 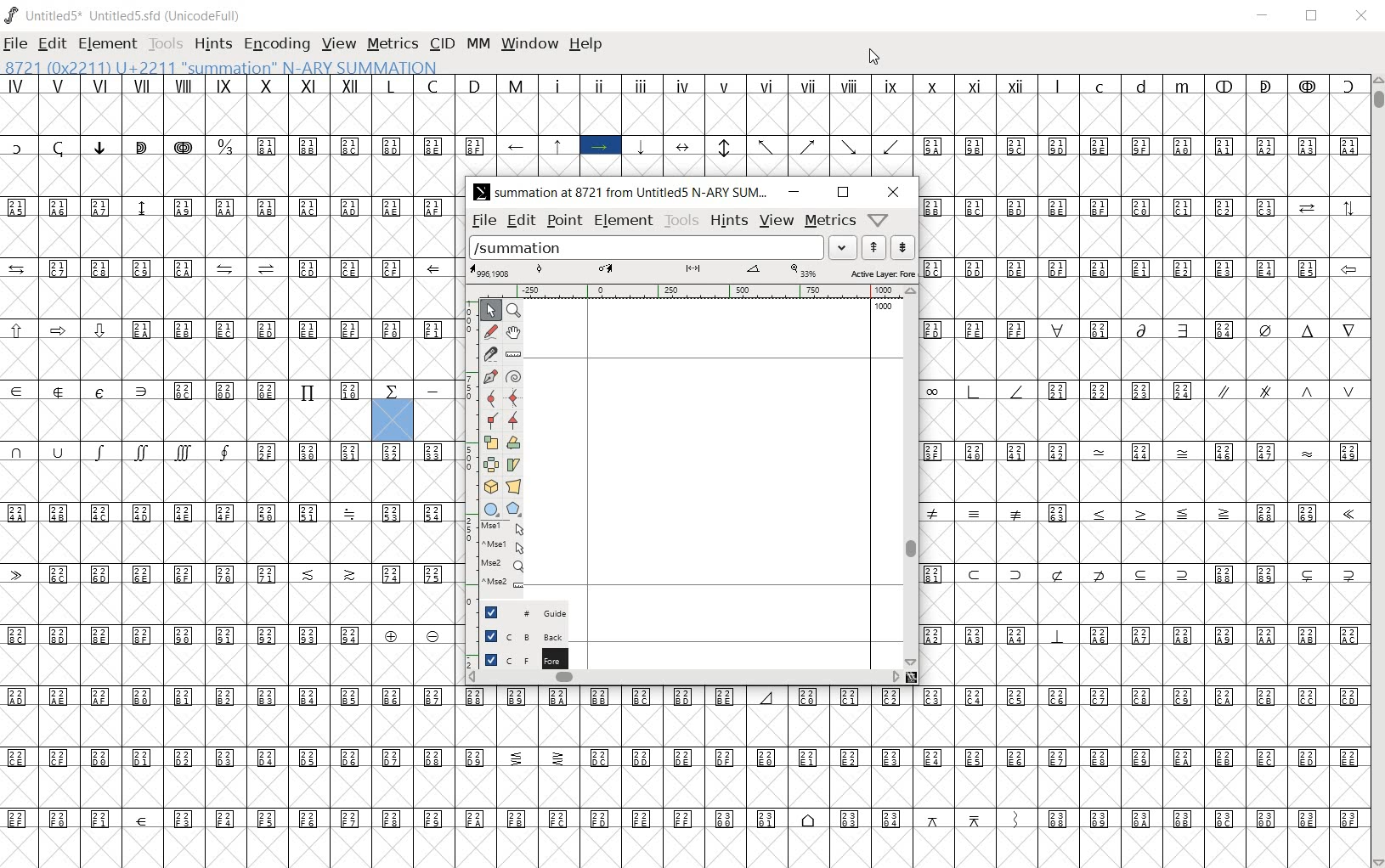 I want to click on scale the selection, so click(x=491, y=442).